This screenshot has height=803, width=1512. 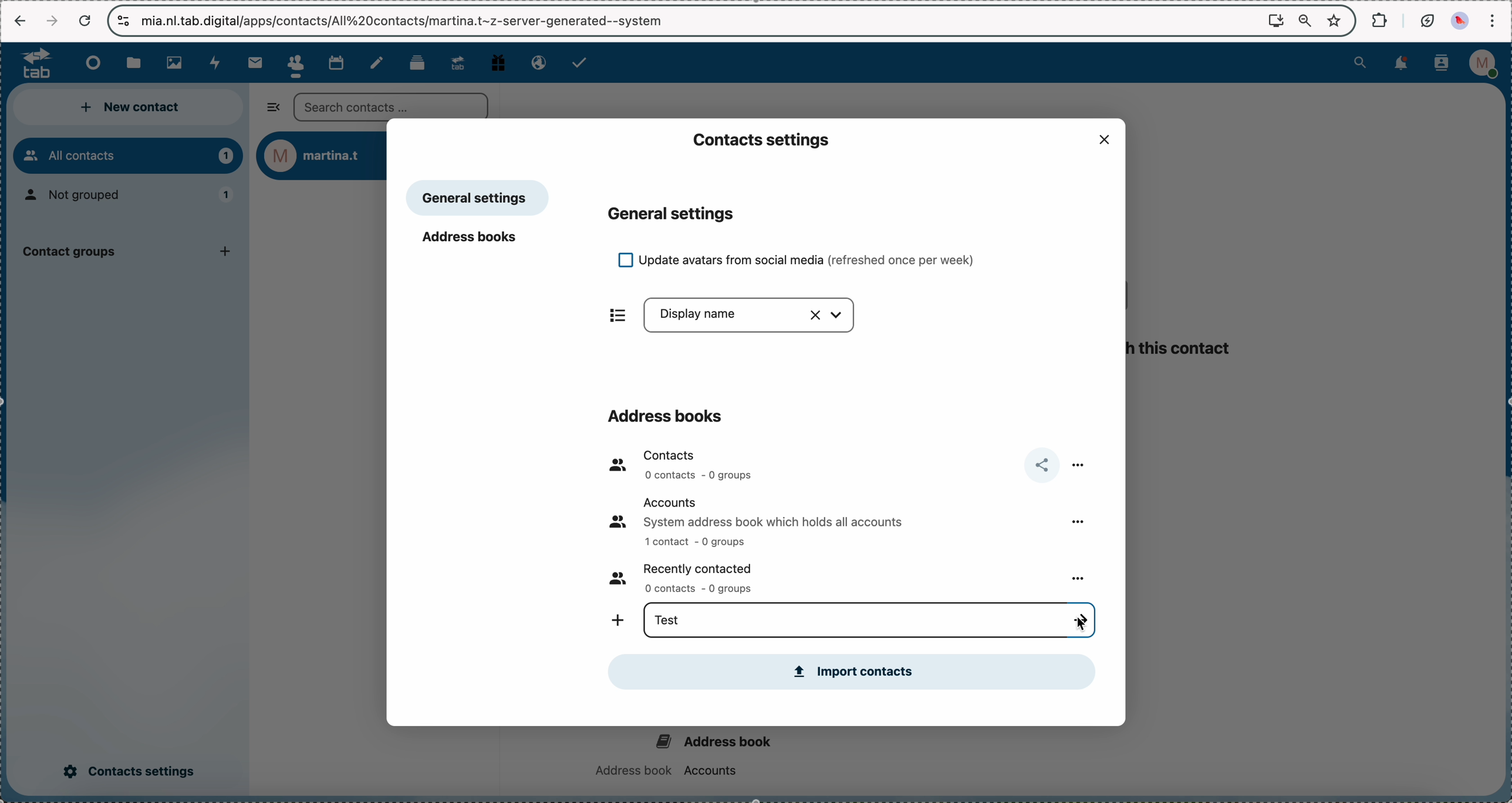 I want to click on user, so click(x=321, y=157).